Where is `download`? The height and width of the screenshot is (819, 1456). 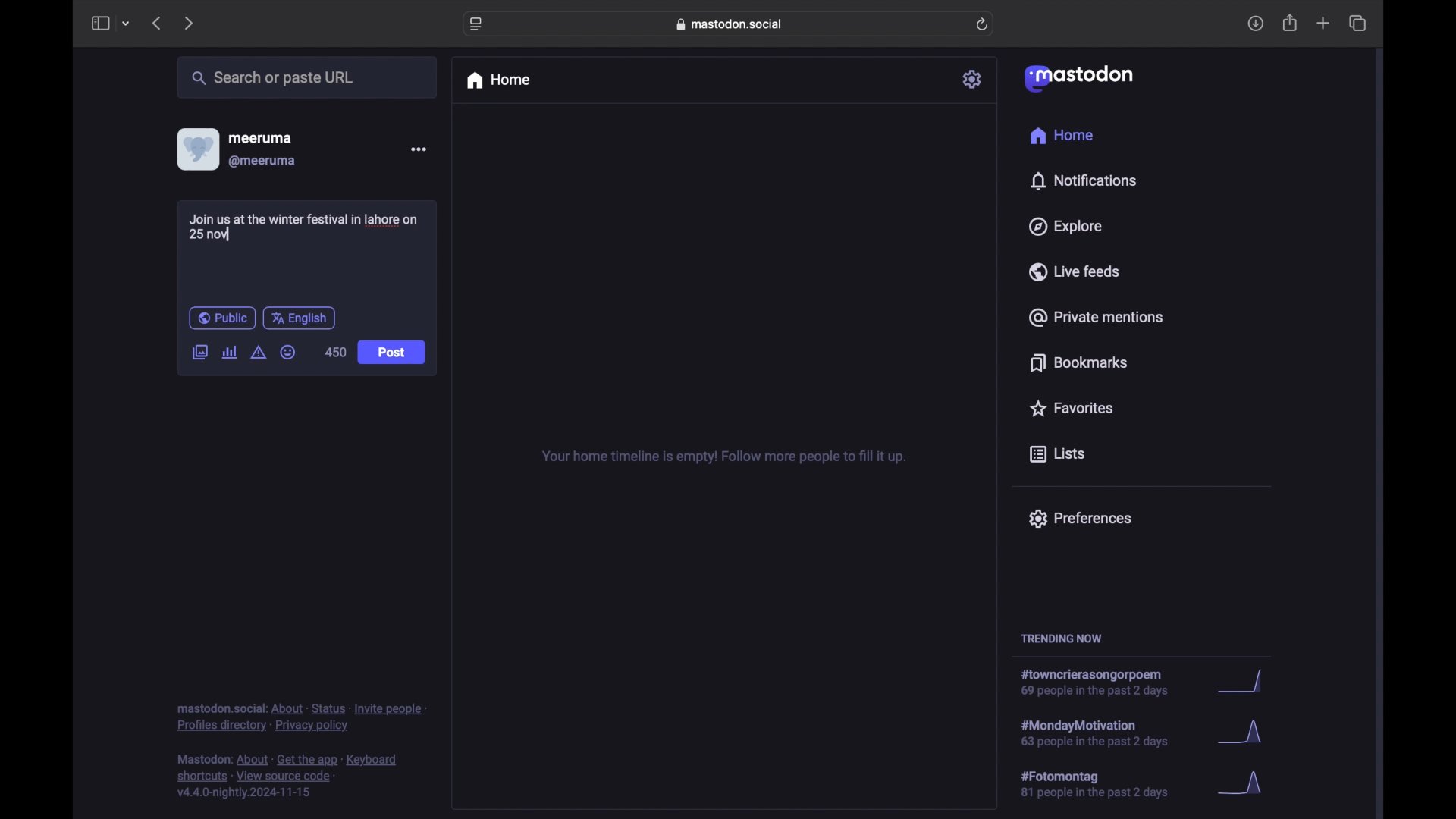
download is located at coordinates (1256, 24).